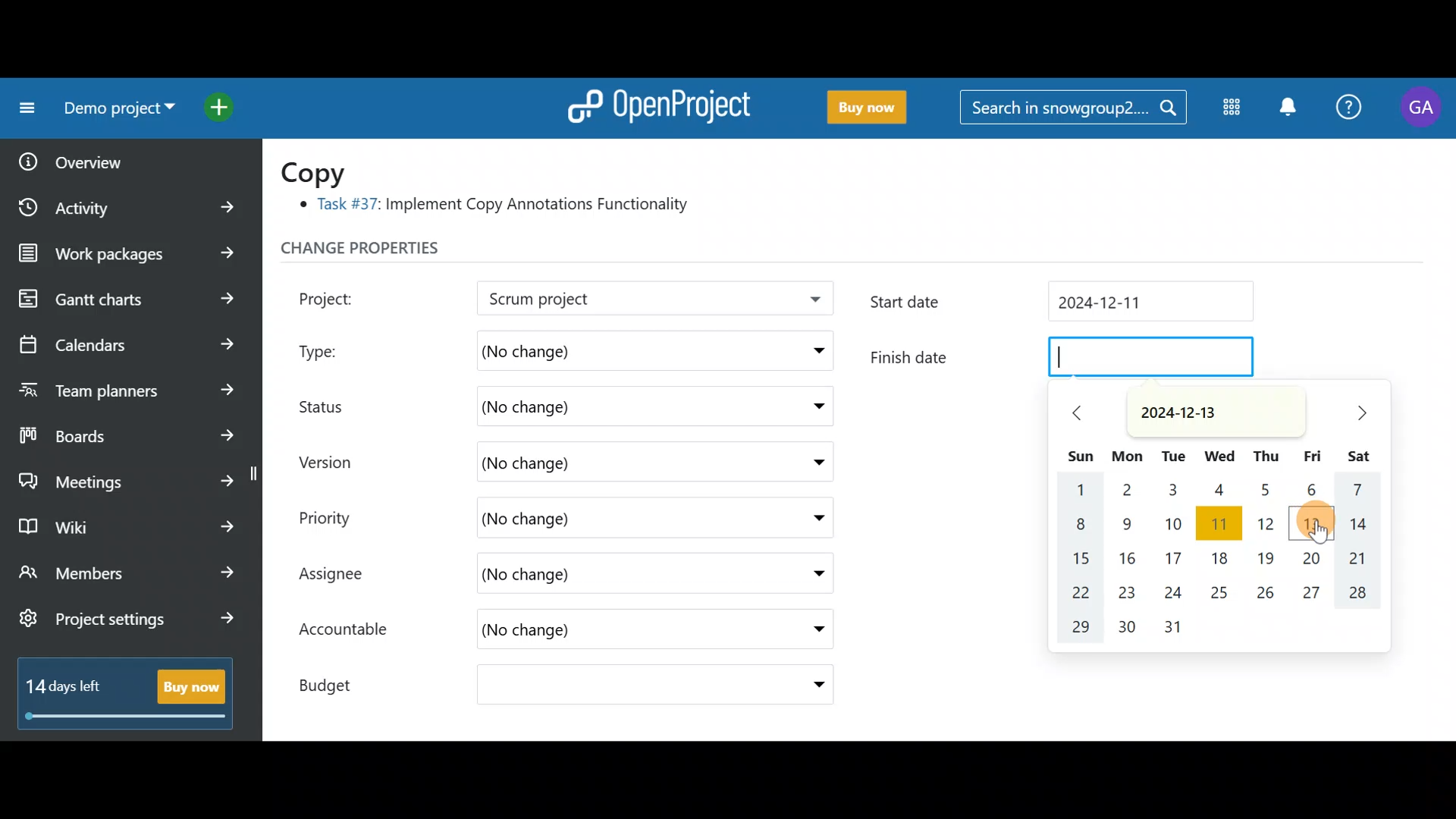  I want to click on Buy now, so click(860, 108).